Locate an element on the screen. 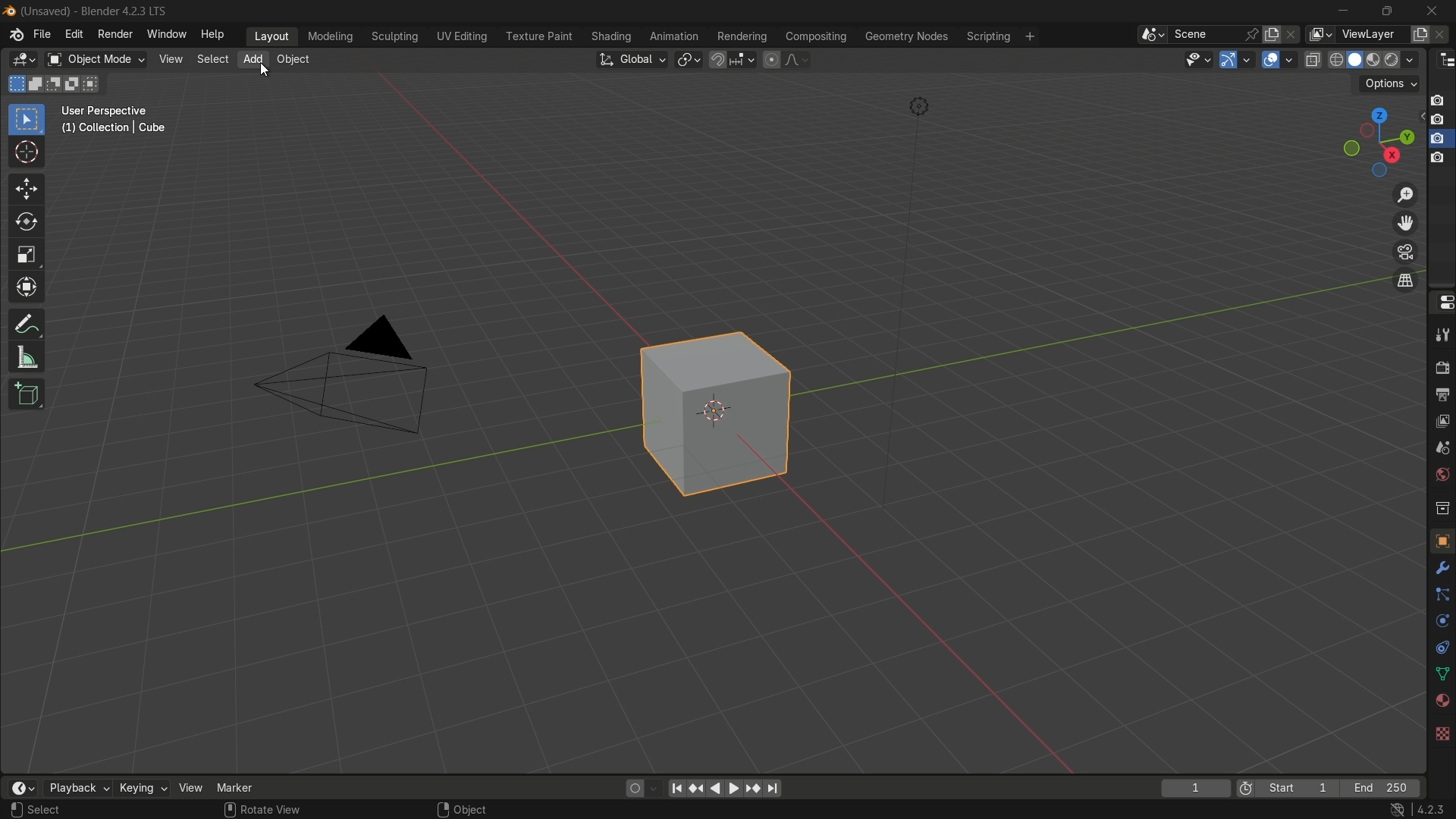 The width and height of the screenshot is (1456, 819). annotate is located at coordinates (27, 324).